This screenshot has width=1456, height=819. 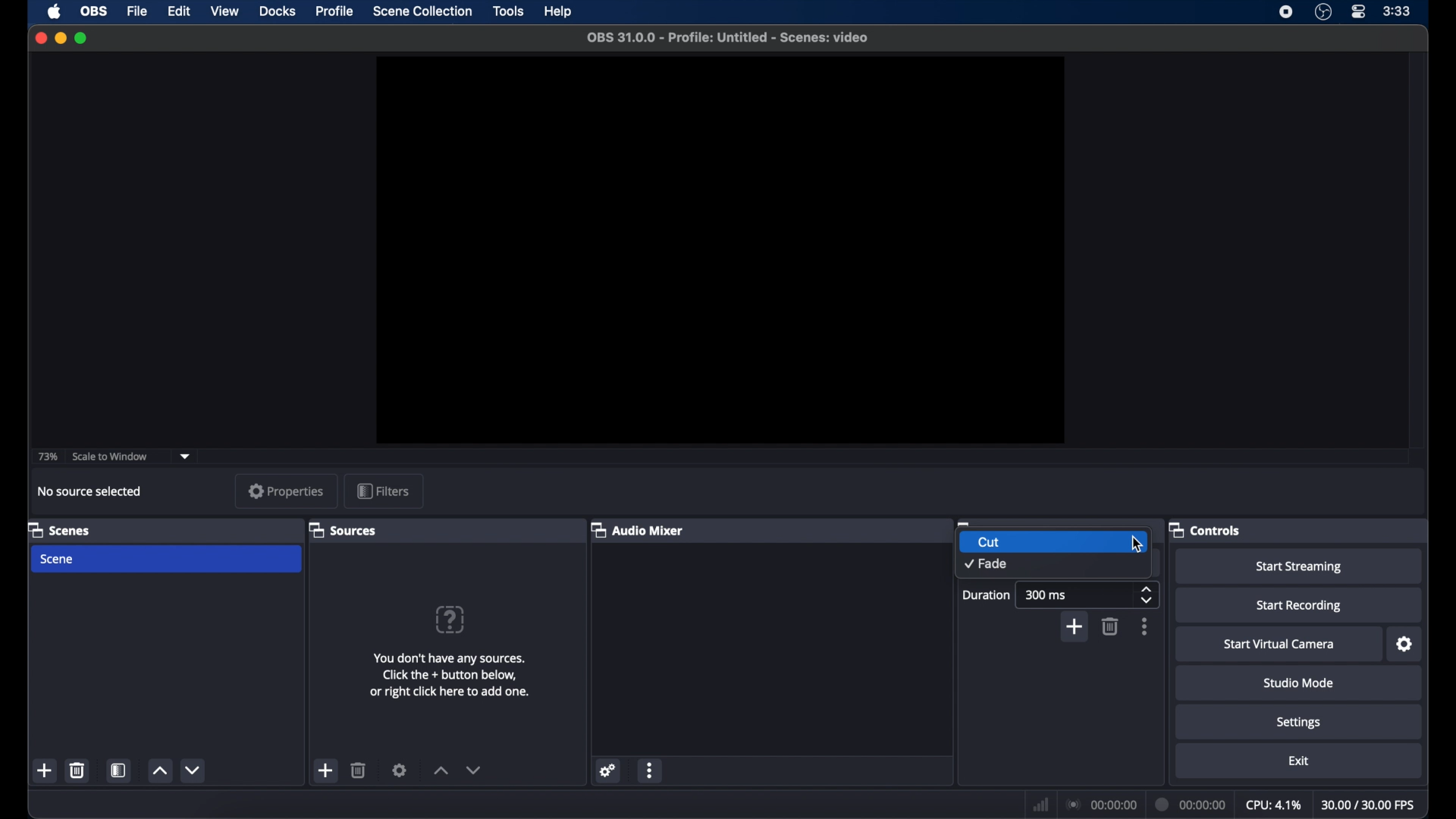 What do you see at coordinates (1405, 645) in the screenshot?
I see `settings` at bounding box center [1405, 645].